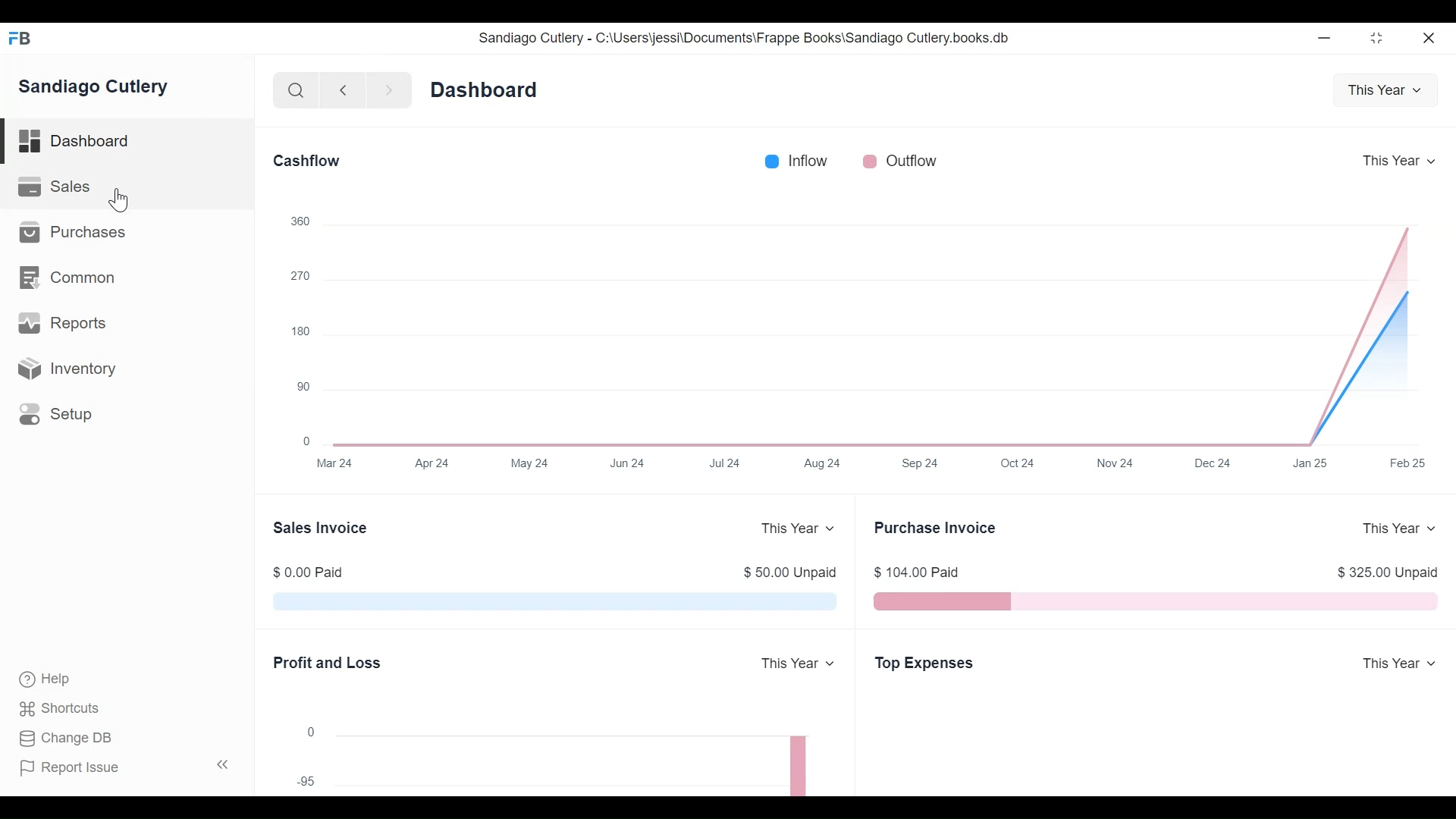  I want to click on Shortcuts, so click(67, 708).